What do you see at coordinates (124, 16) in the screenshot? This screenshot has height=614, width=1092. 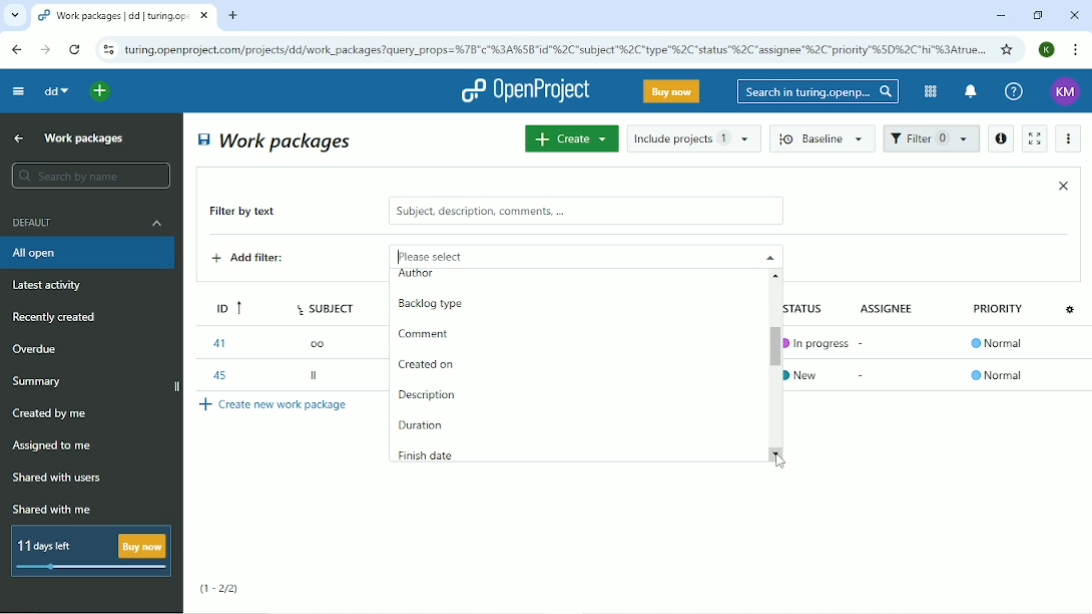 I see `Current tab` at bounding box center [124, 16].